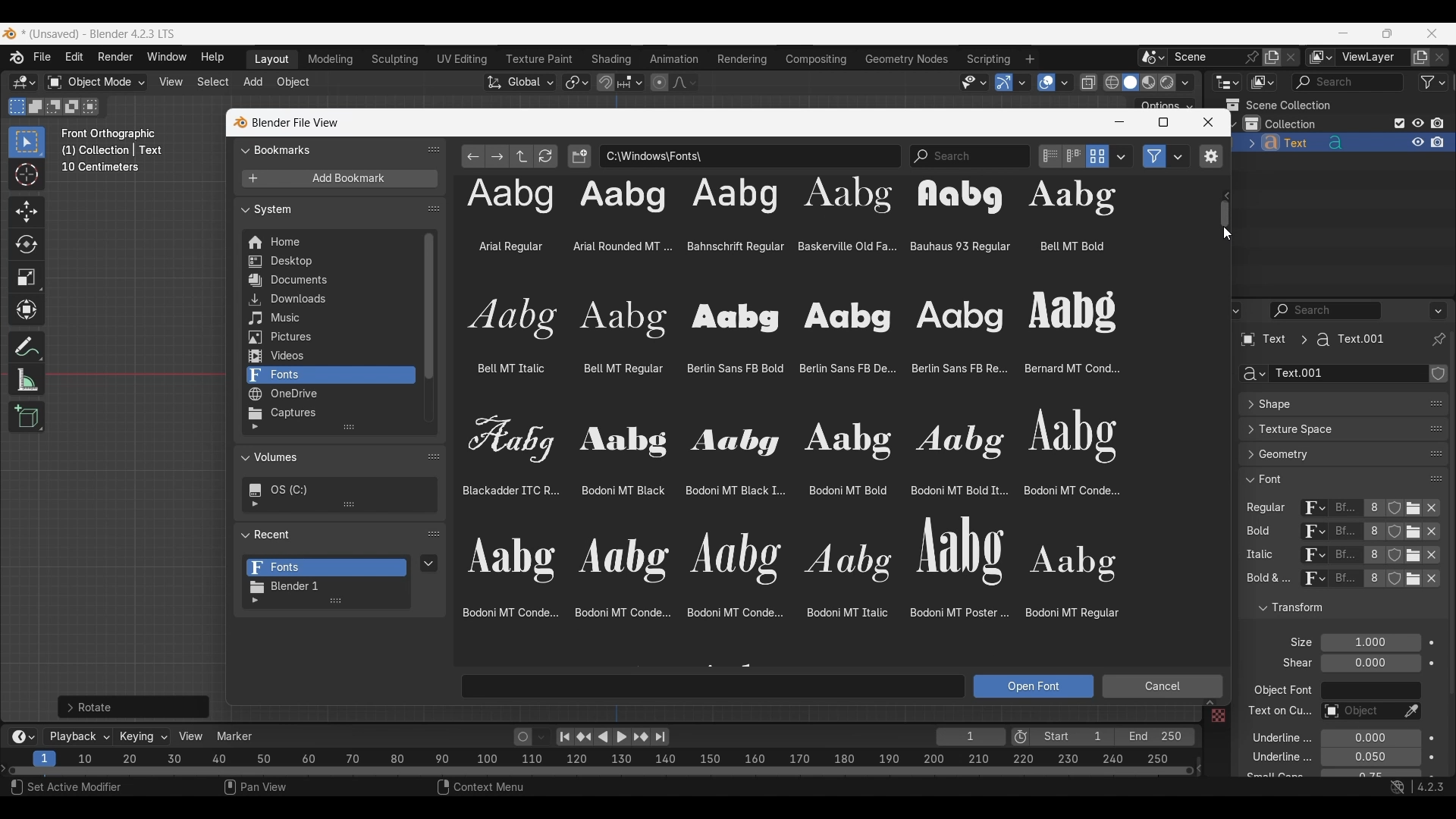  What do you see at coordinates (328, 318) in the screenshot?
I see `Music folder` at bounding box center [328, 318].